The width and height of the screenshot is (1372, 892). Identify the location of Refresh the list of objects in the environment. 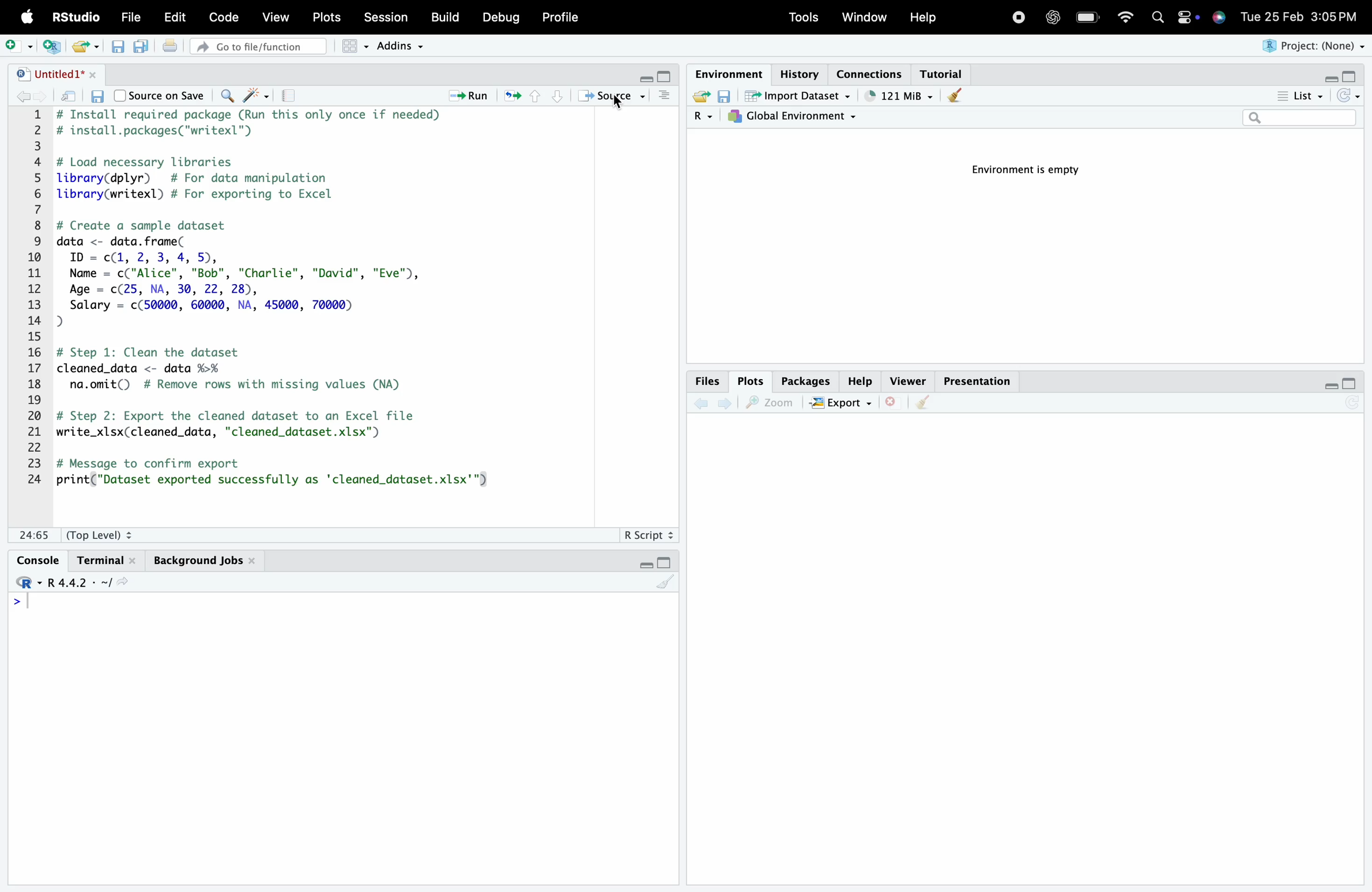
(1348, 97).